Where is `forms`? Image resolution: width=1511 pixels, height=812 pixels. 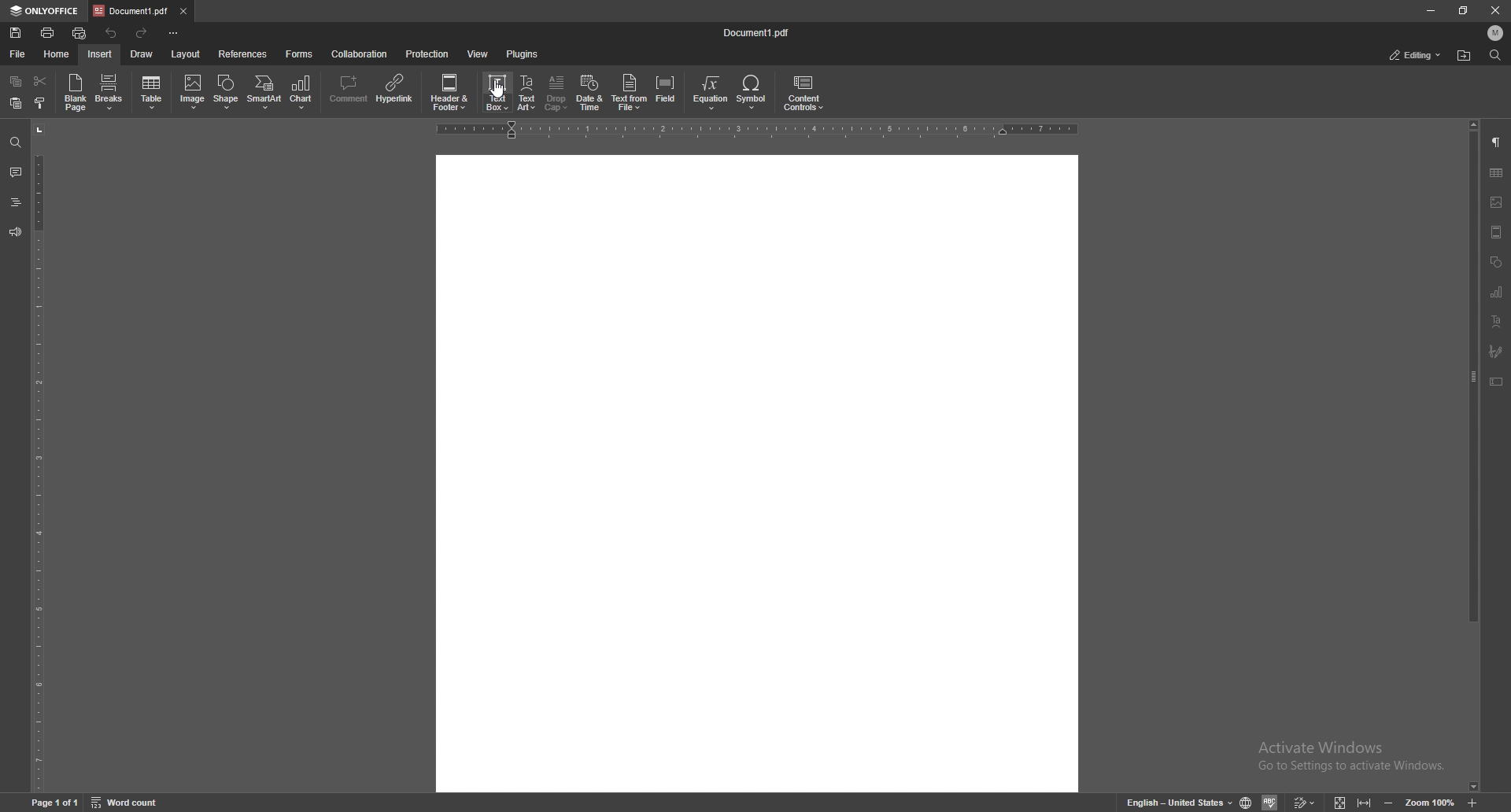
forms is located at coordinates (301, 54).